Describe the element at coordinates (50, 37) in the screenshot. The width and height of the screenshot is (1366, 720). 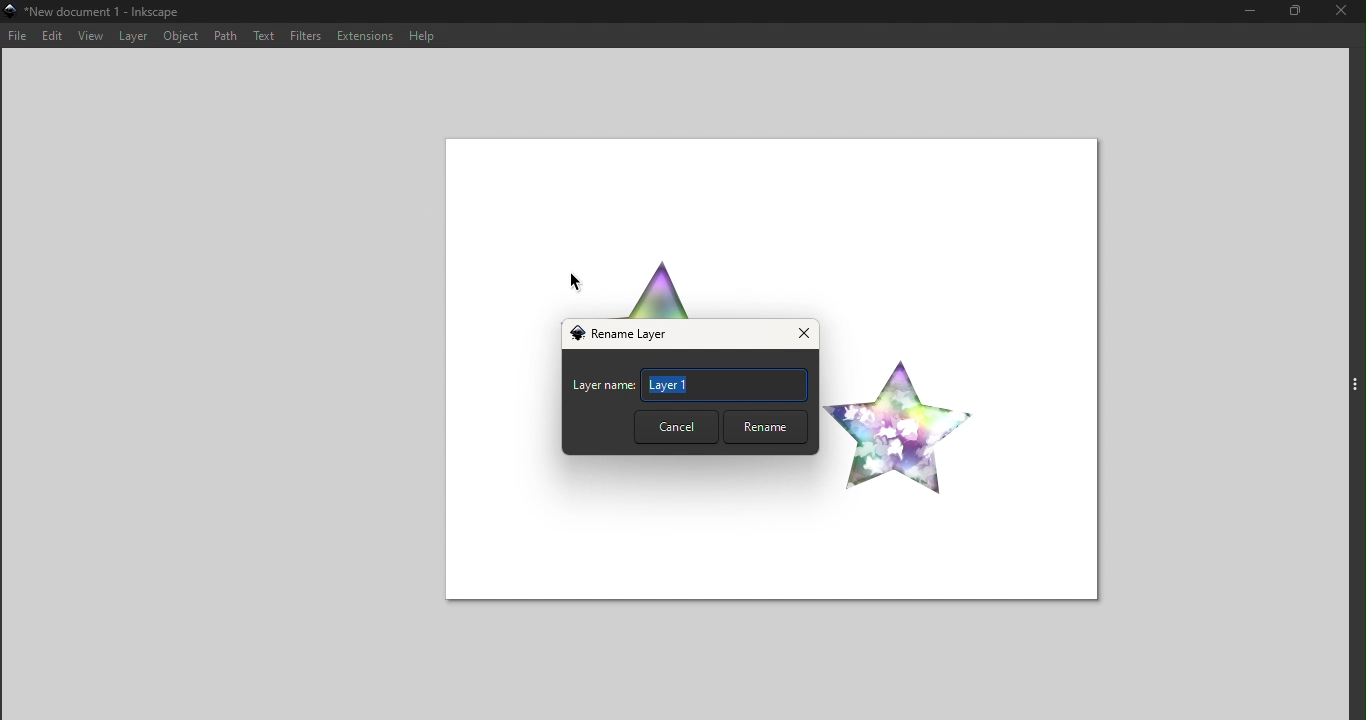
I see `edit` at that location.